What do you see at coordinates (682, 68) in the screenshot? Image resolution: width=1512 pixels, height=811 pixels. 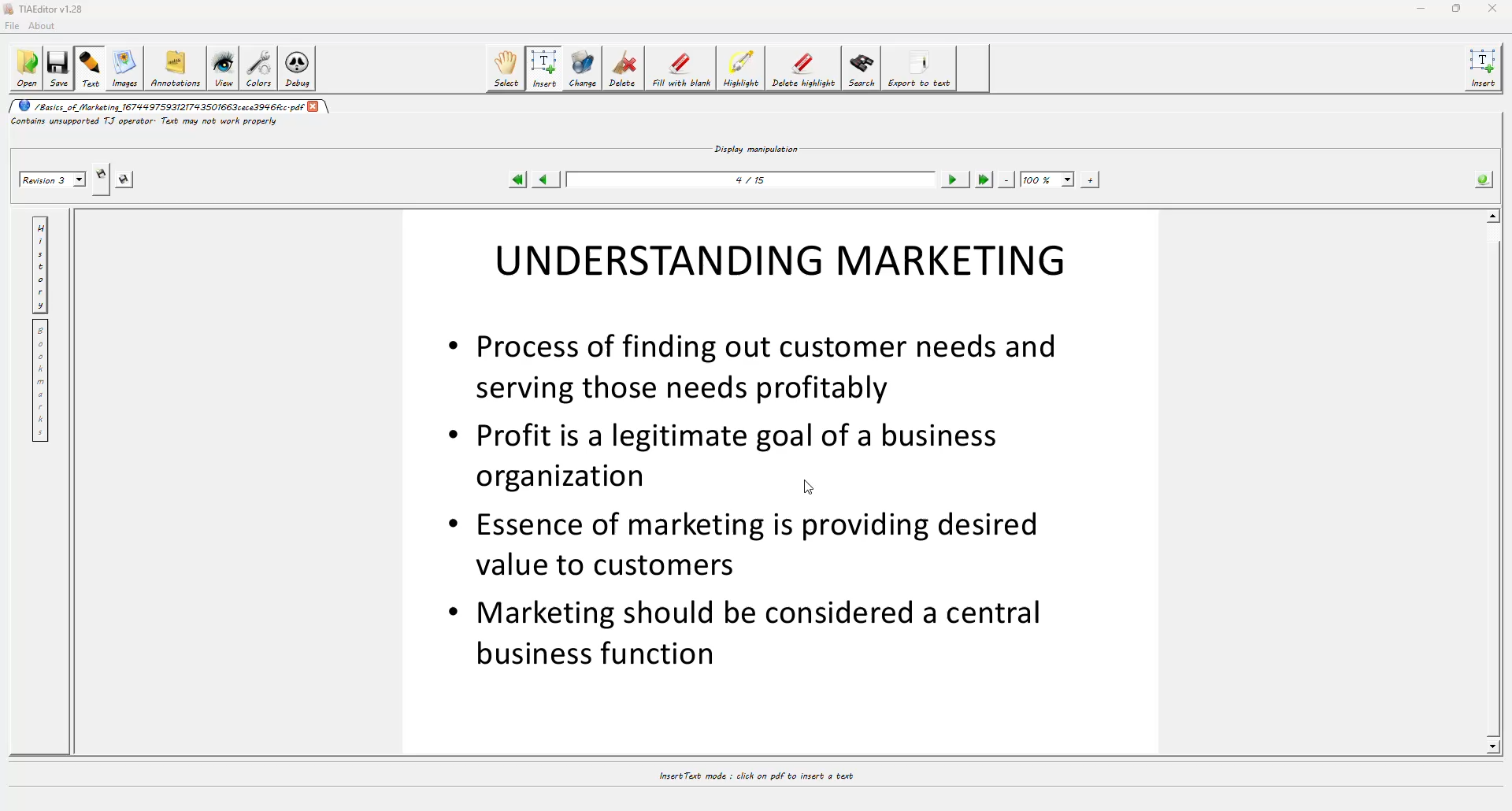 I see `fill with blank` at bounding box center [682, 68].